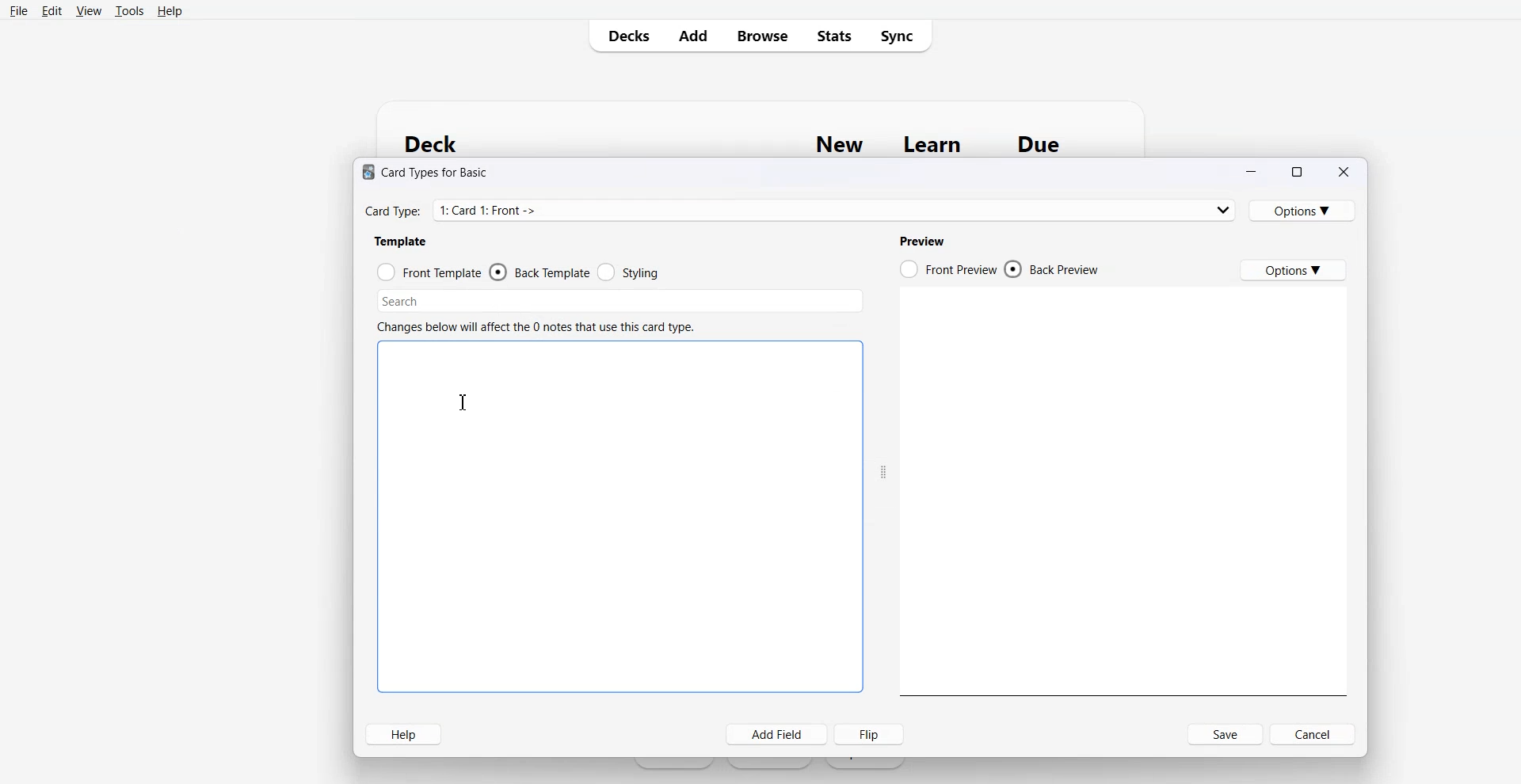  What do you see at coordinates (885, 474) in the screenshot?
I see `Drag handle` at bounding box center [885, 474].